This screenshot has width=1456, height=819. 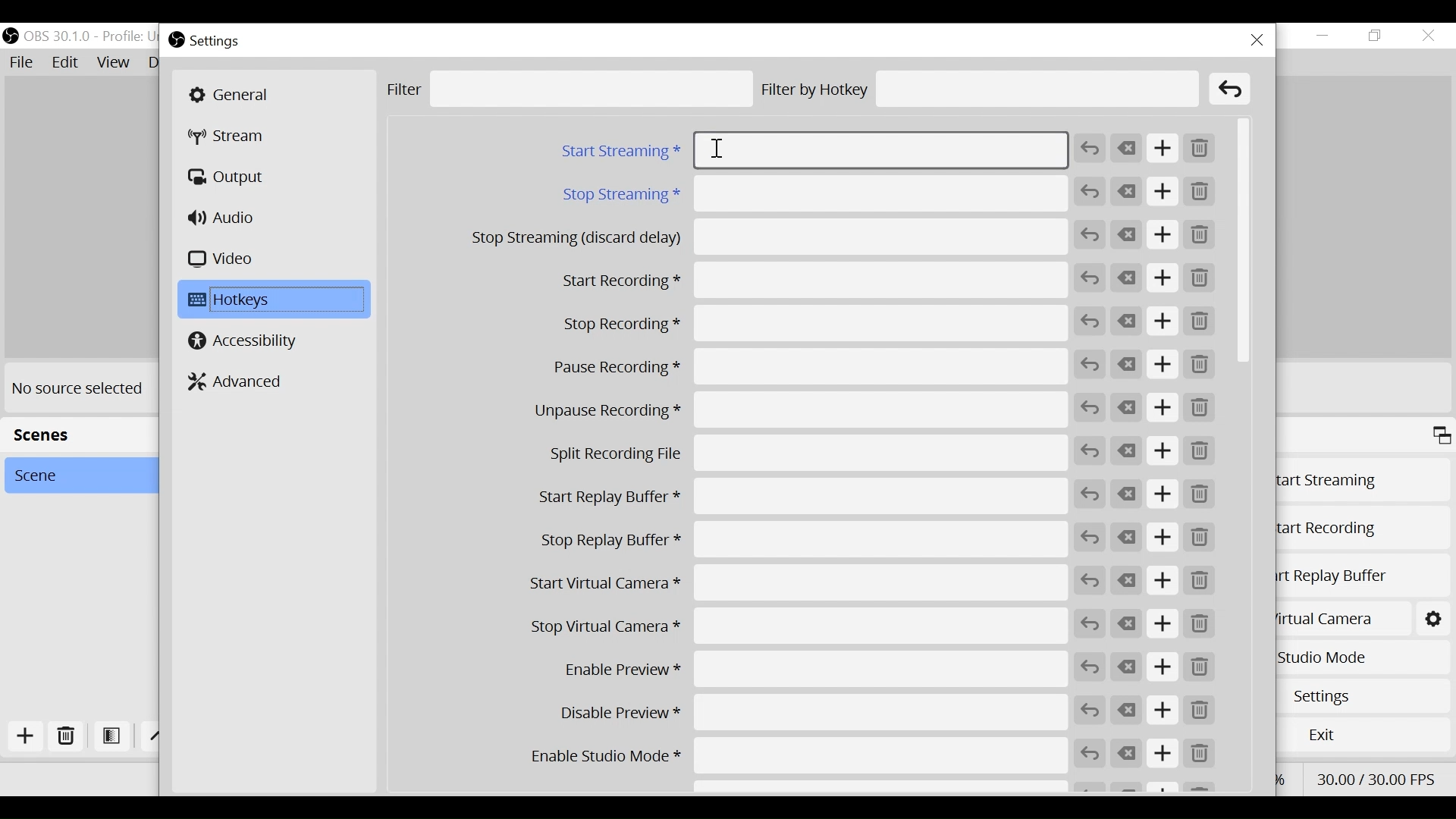 What do you see at coordinates (74, 433) in the screenshot?
I see `Scenes Panel` at bounding box center [74, 433].